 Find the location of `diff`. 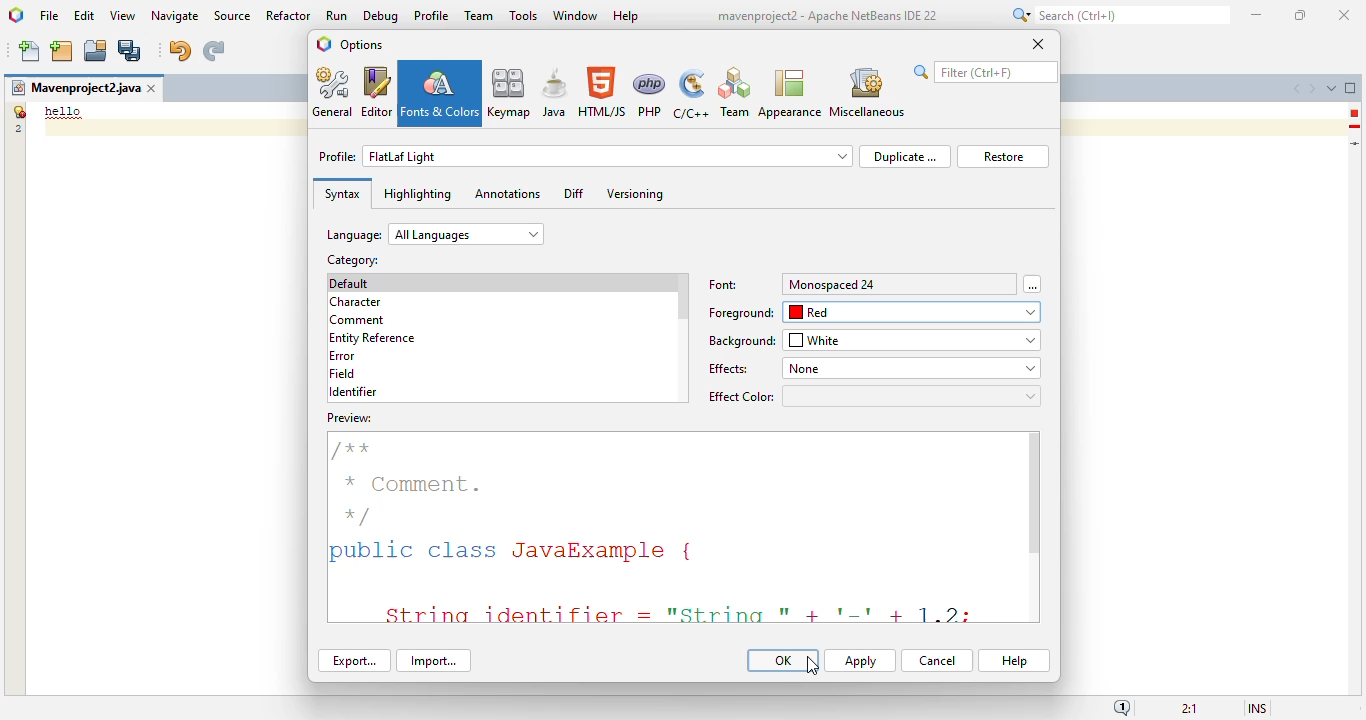

diff is located at coordinates (574, 193).